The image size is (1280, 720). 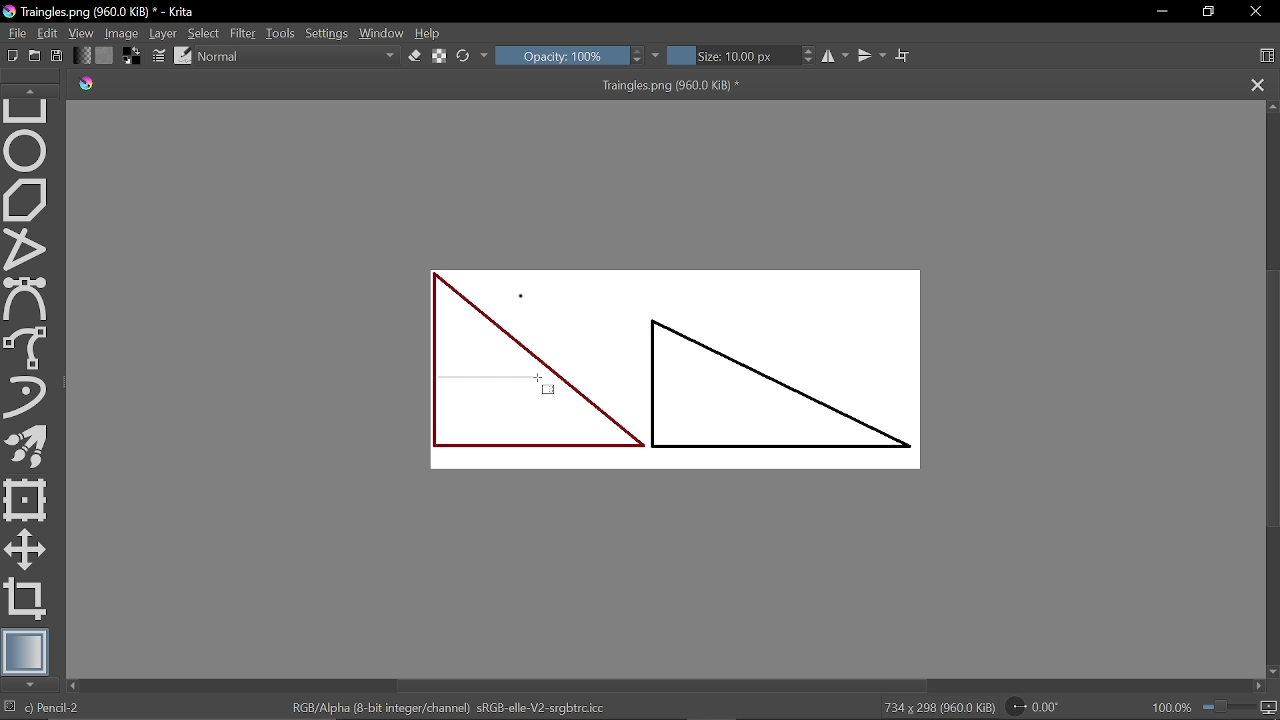 I want to click on Edit brush settings, so click(x=157, y=55).